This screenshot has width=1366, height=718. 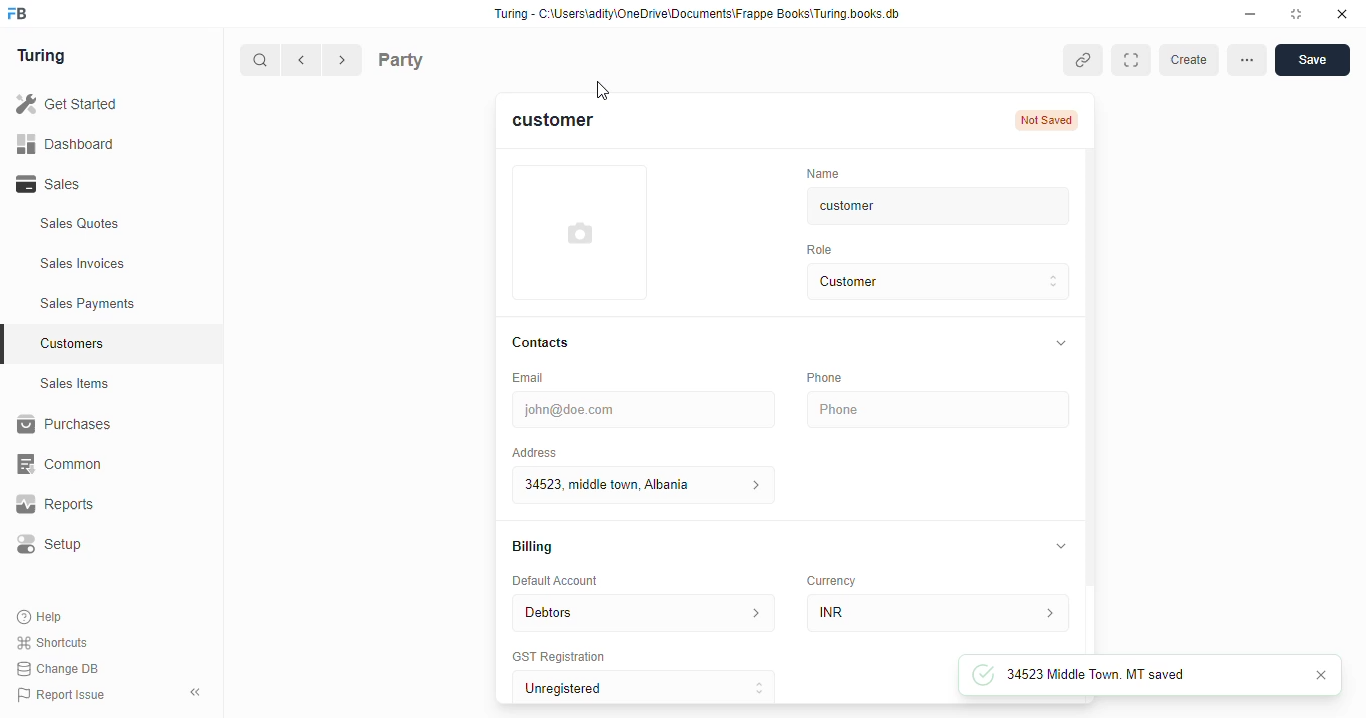 I want to click on Customers, so click(x=123, y=341).